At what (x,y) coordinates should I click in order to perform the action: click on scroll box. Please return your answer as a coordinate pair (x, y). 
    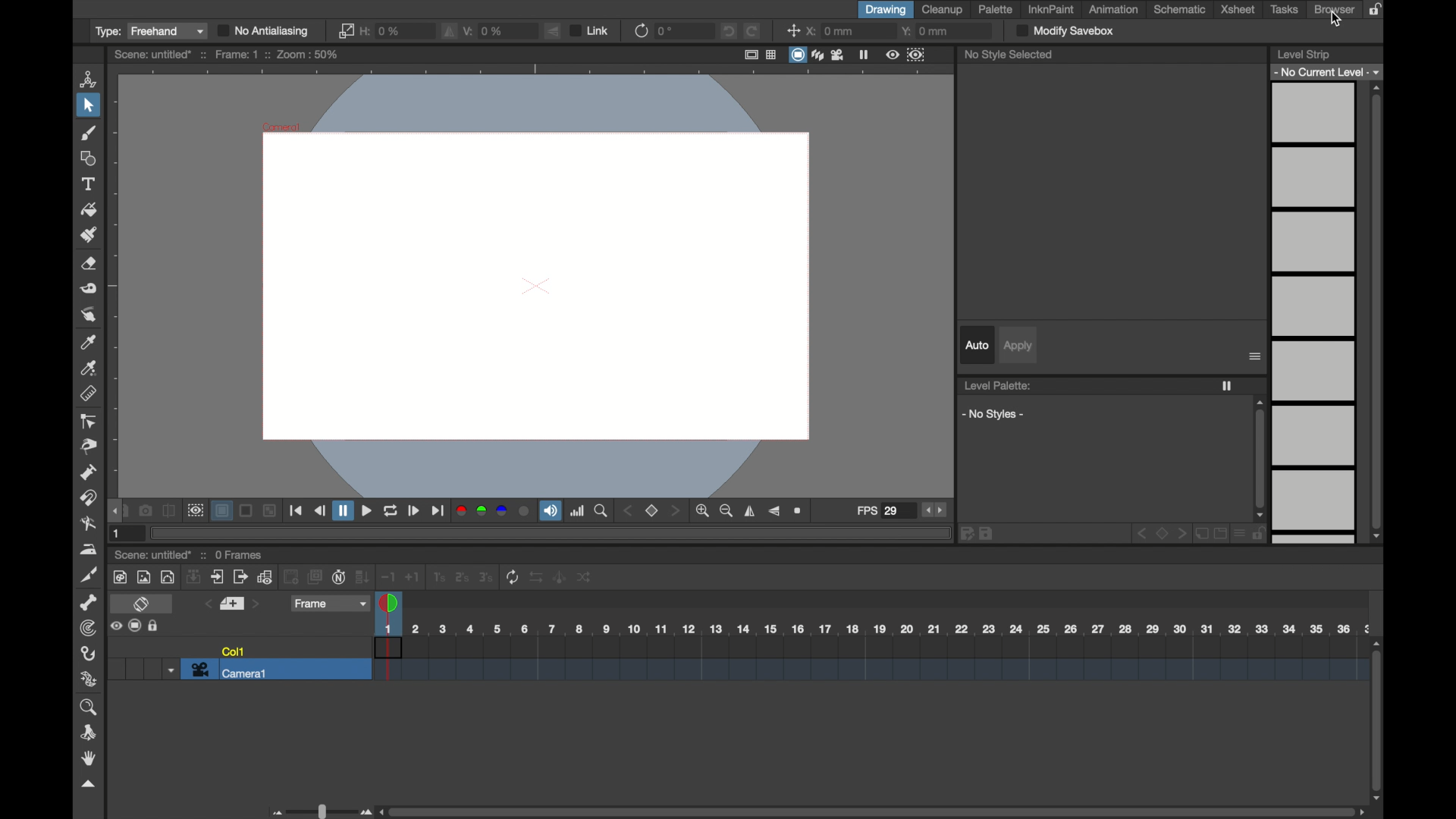
    Looking at the image, I should click on (1377, 312).